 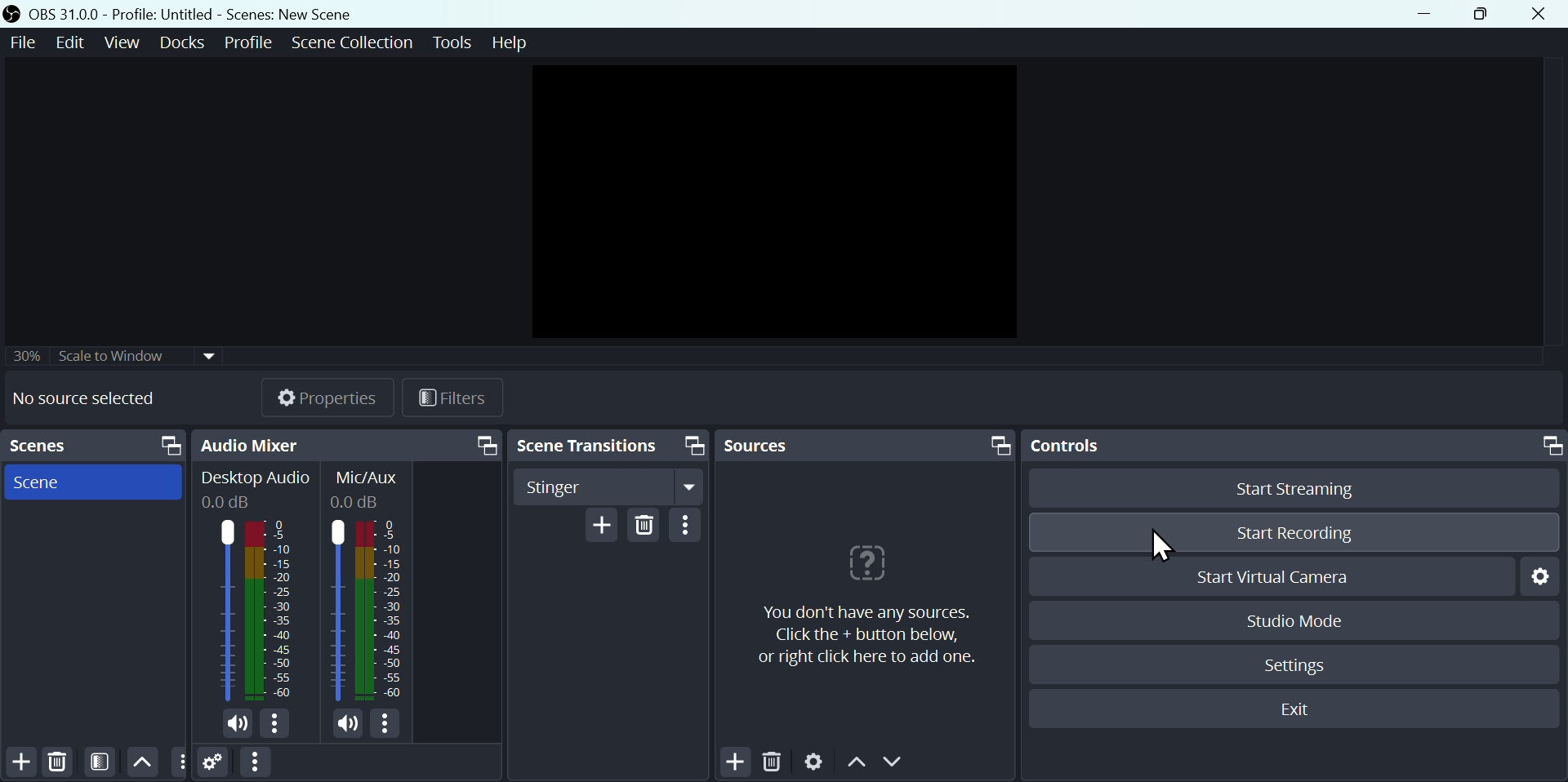 I want to click on 30% Scale to Window , so click(x=128, y=355).